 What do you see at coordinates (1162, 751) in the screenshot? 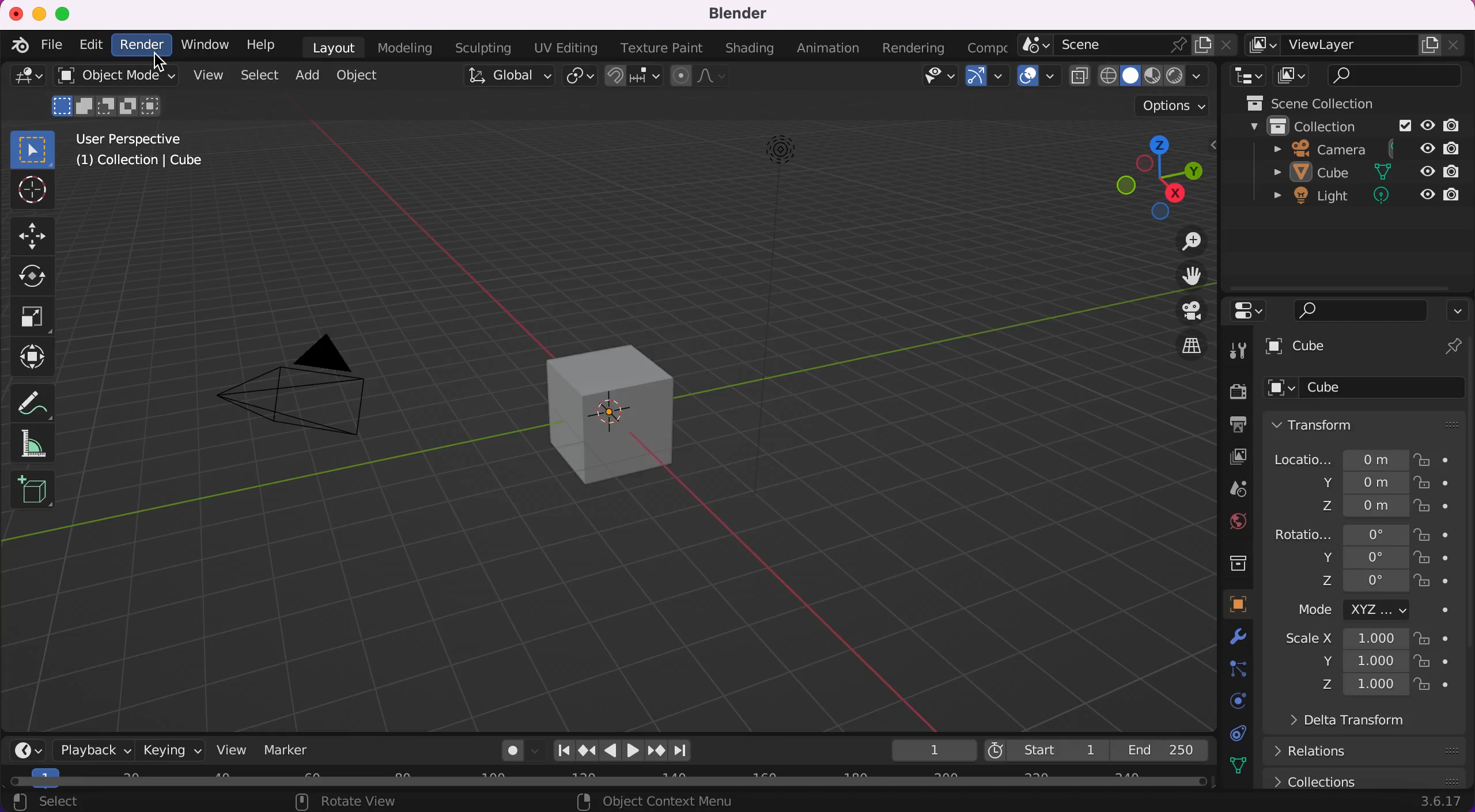
I see `end 250` at bounding box center [1162, 751].